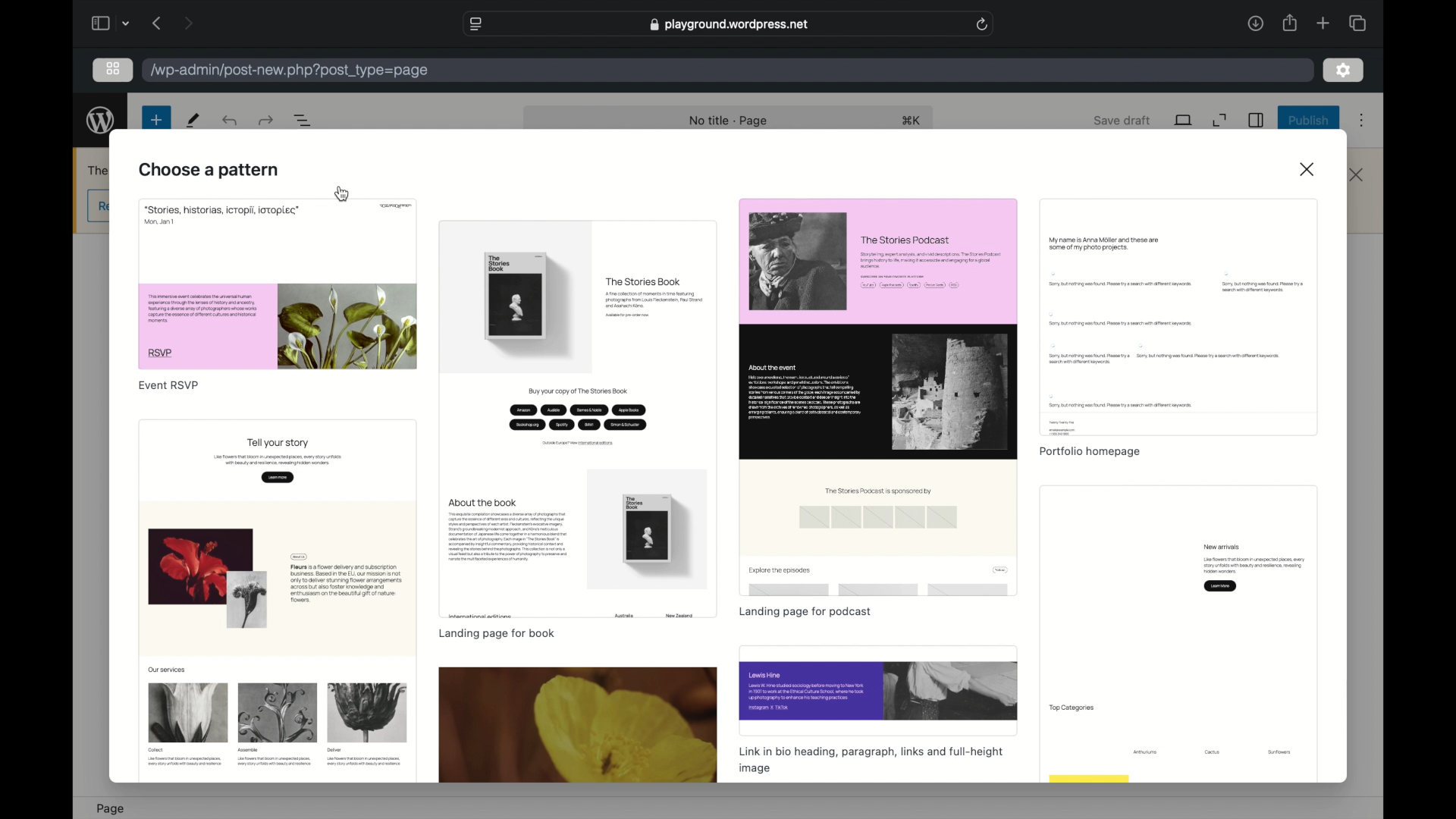 The height and width of the screenshot is (819, 1456). I want to click on publish, so click(1307, 121).